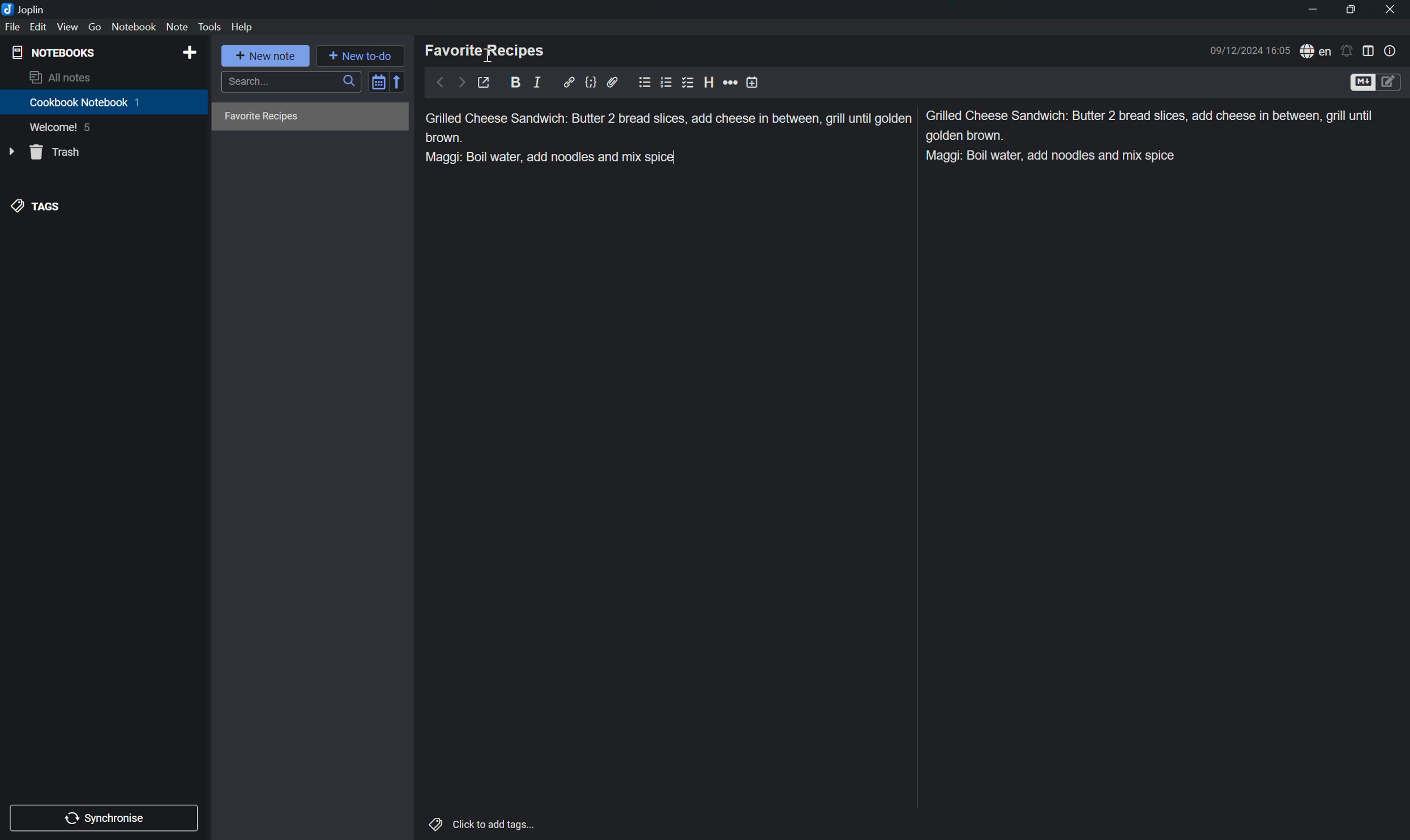  I want to click on Note properties, so click(1392, 50).